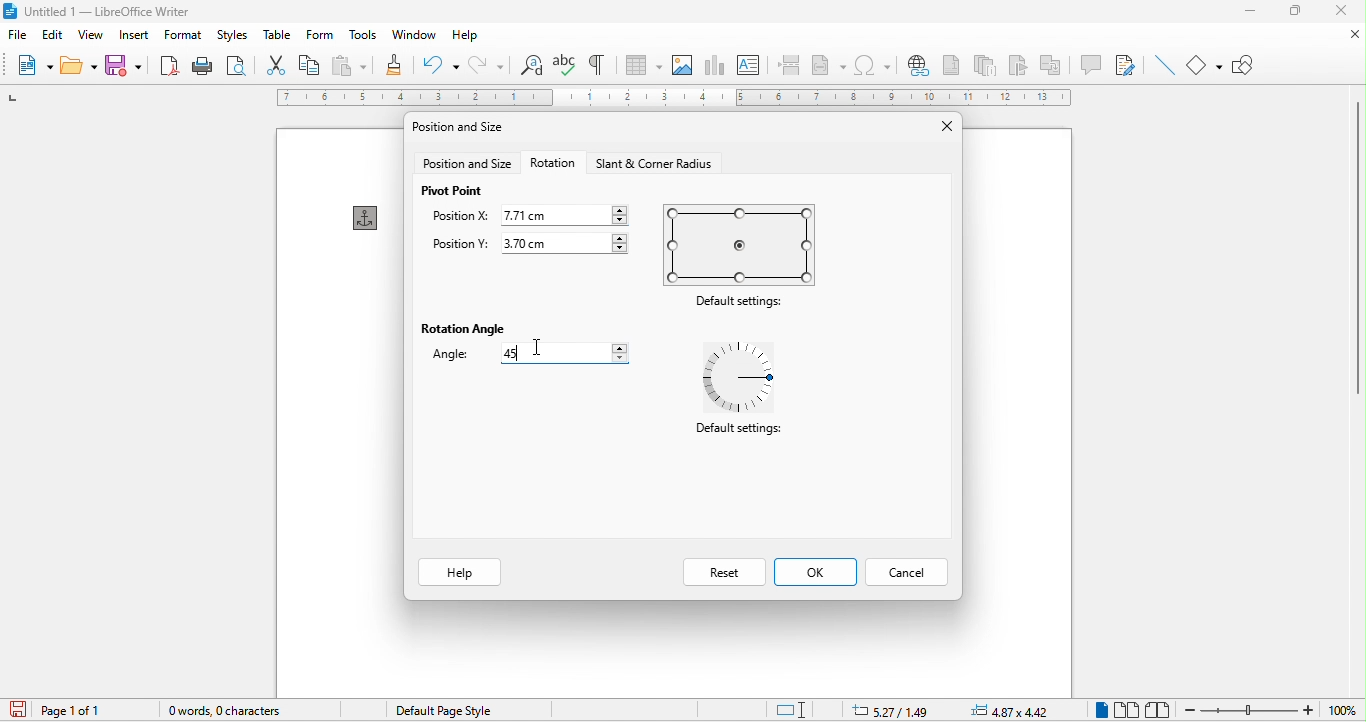 This screenshot has height=722, width=1366. What do you see at coordinates (1352, 35) in the screenshot?
I see `close` at bounding box center [1352, 35].